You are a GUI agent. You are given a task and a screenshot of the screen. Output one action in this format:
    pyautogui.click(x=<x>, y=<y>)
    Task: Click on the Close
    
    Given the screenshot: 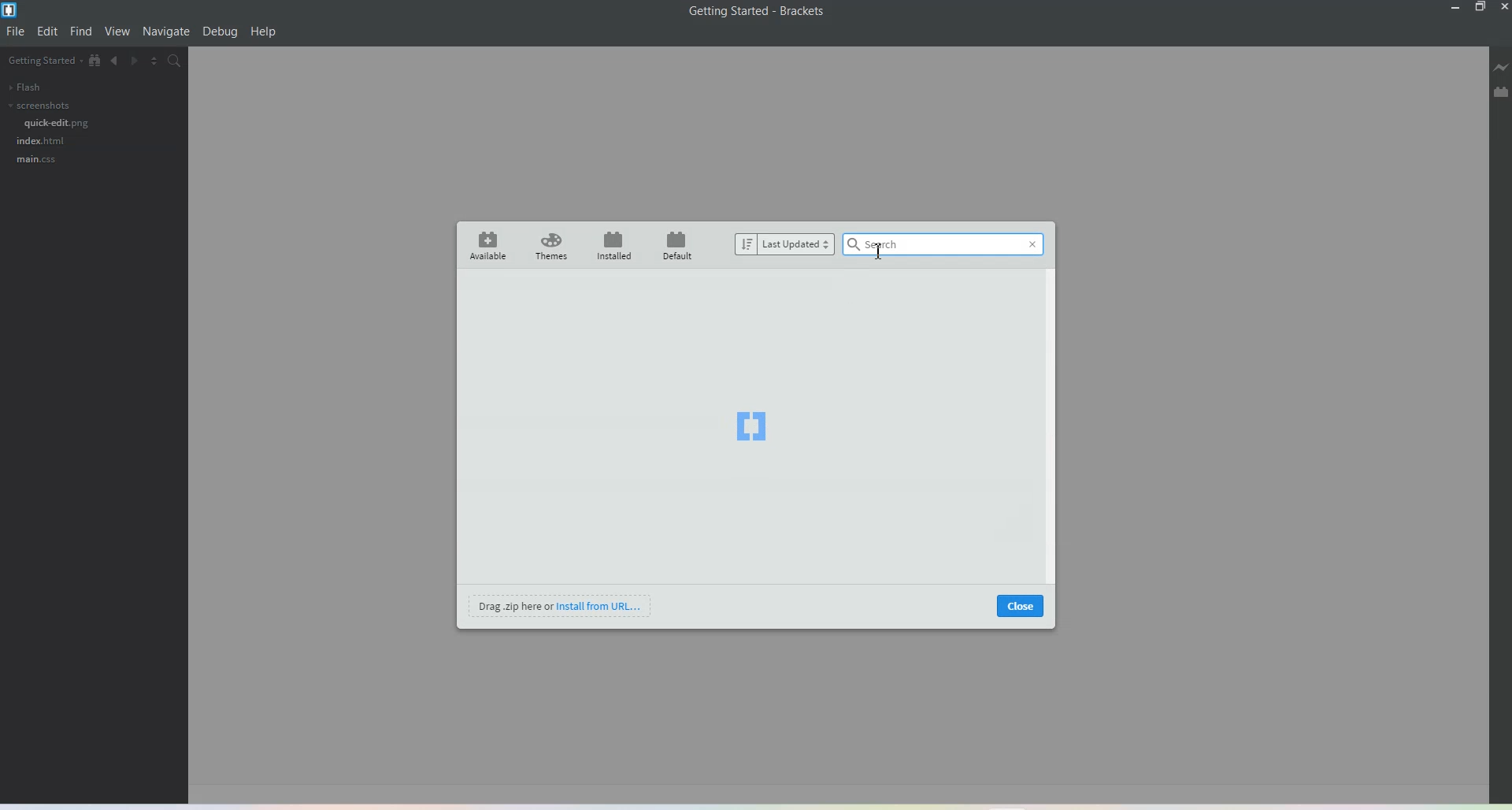 What is the action you would take?
    pyautogui.click(x=1032, y=247)
    